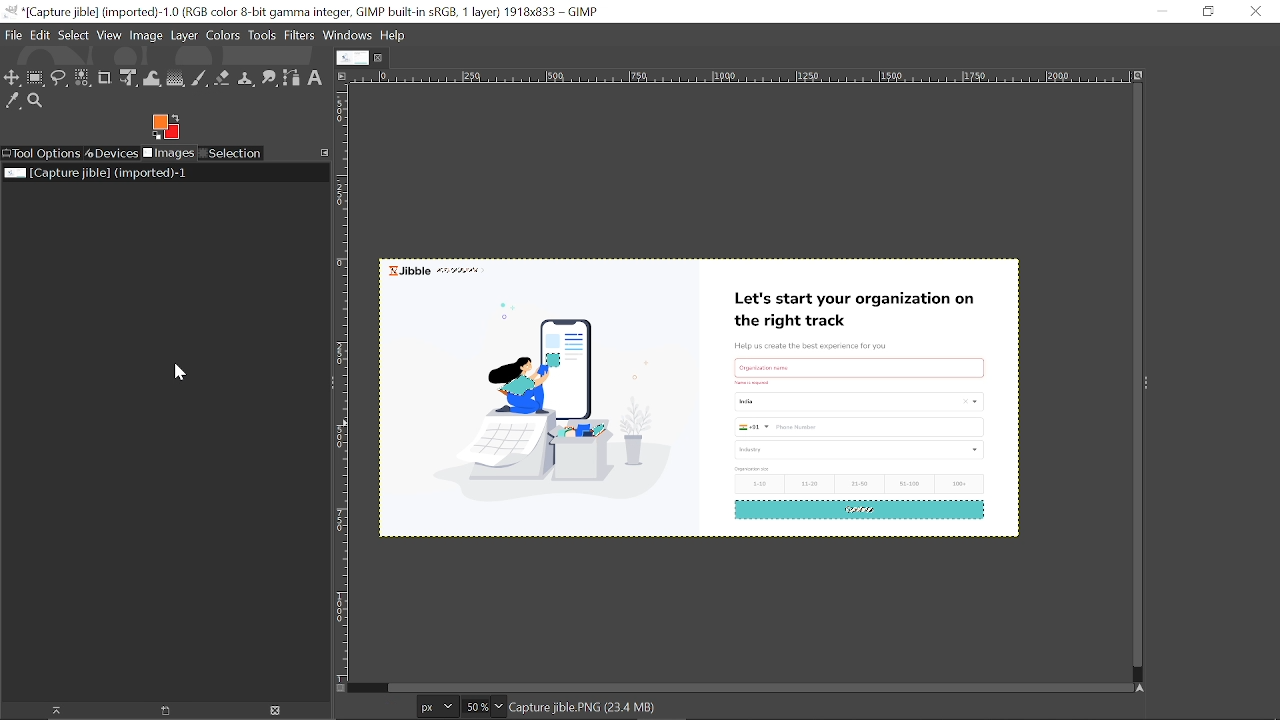  I want to click on Configure this tab, so click(325, 152).